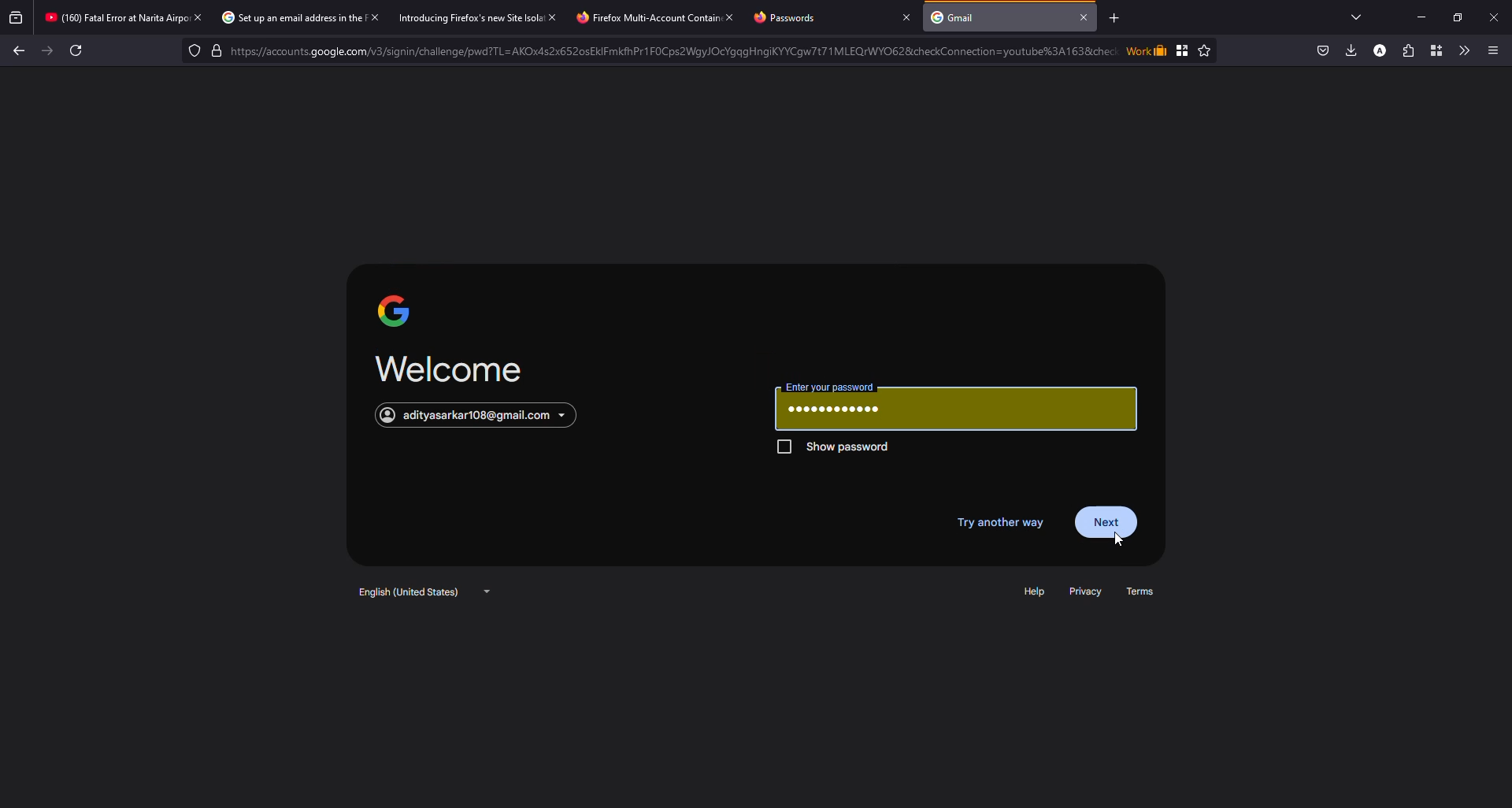 Image resolution: width=1512 pixels, height=808 pixels. What do you see at coordinates (554, 17) in the screenshot?
I see `close` at bounding box center [554, 17].